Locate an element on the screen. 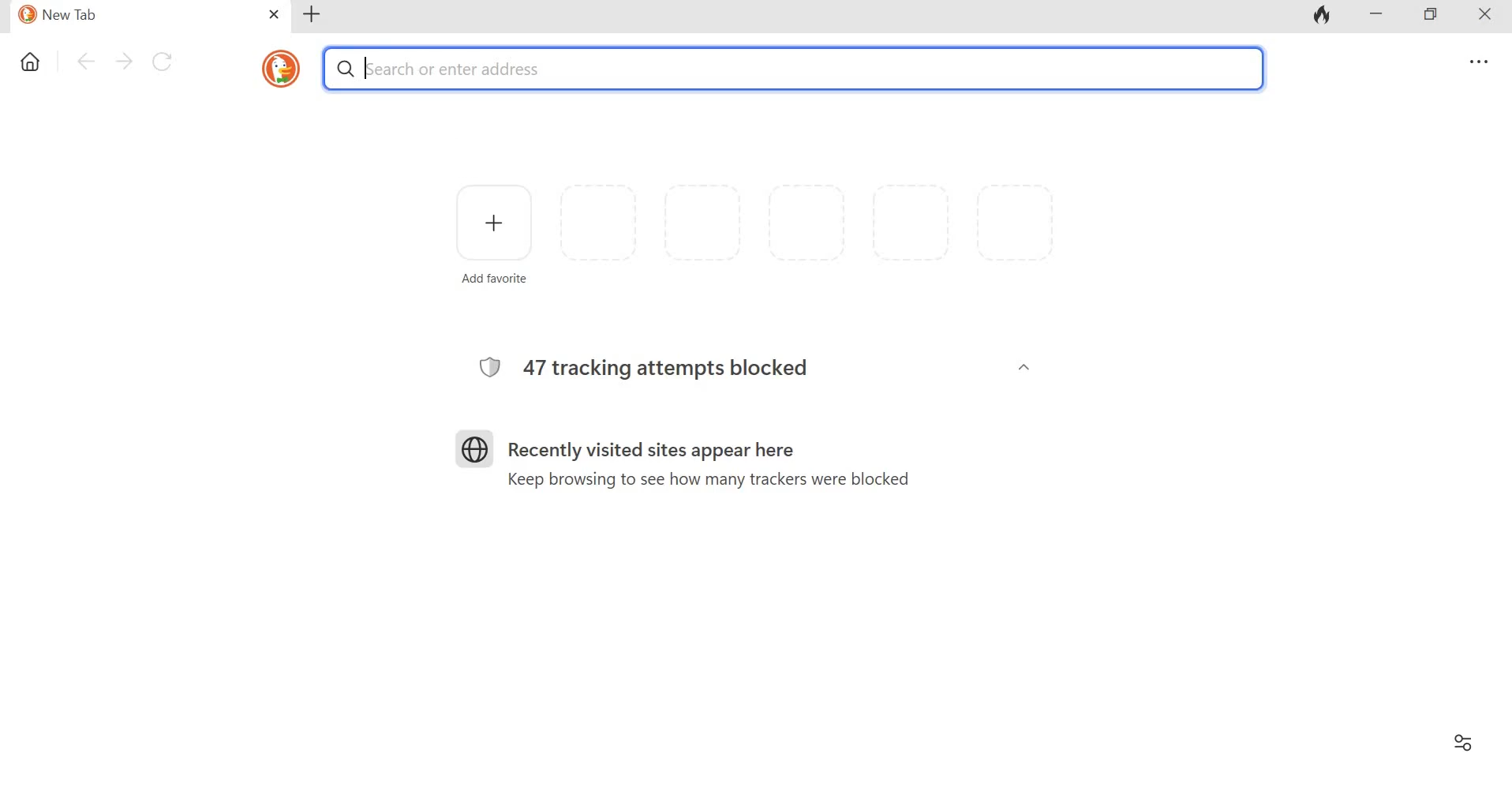 This screenshot has height=791, width=1512. Home is located at coordinates (31, 62).